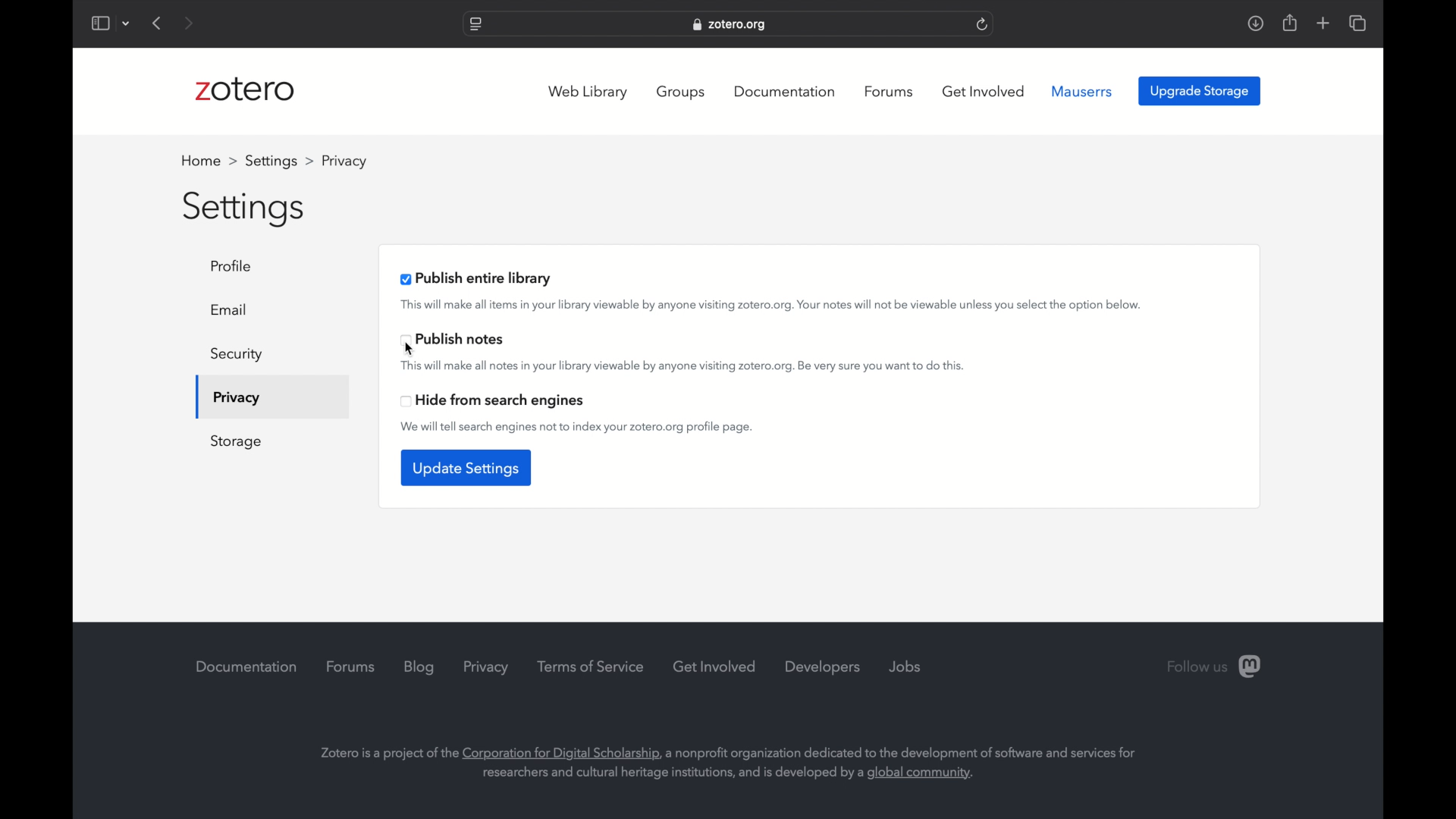 The height and width of the screenshot is (819, 1456). Describe the element at coordinates (351, 667) in the screenshot. I see `forums` at that location.